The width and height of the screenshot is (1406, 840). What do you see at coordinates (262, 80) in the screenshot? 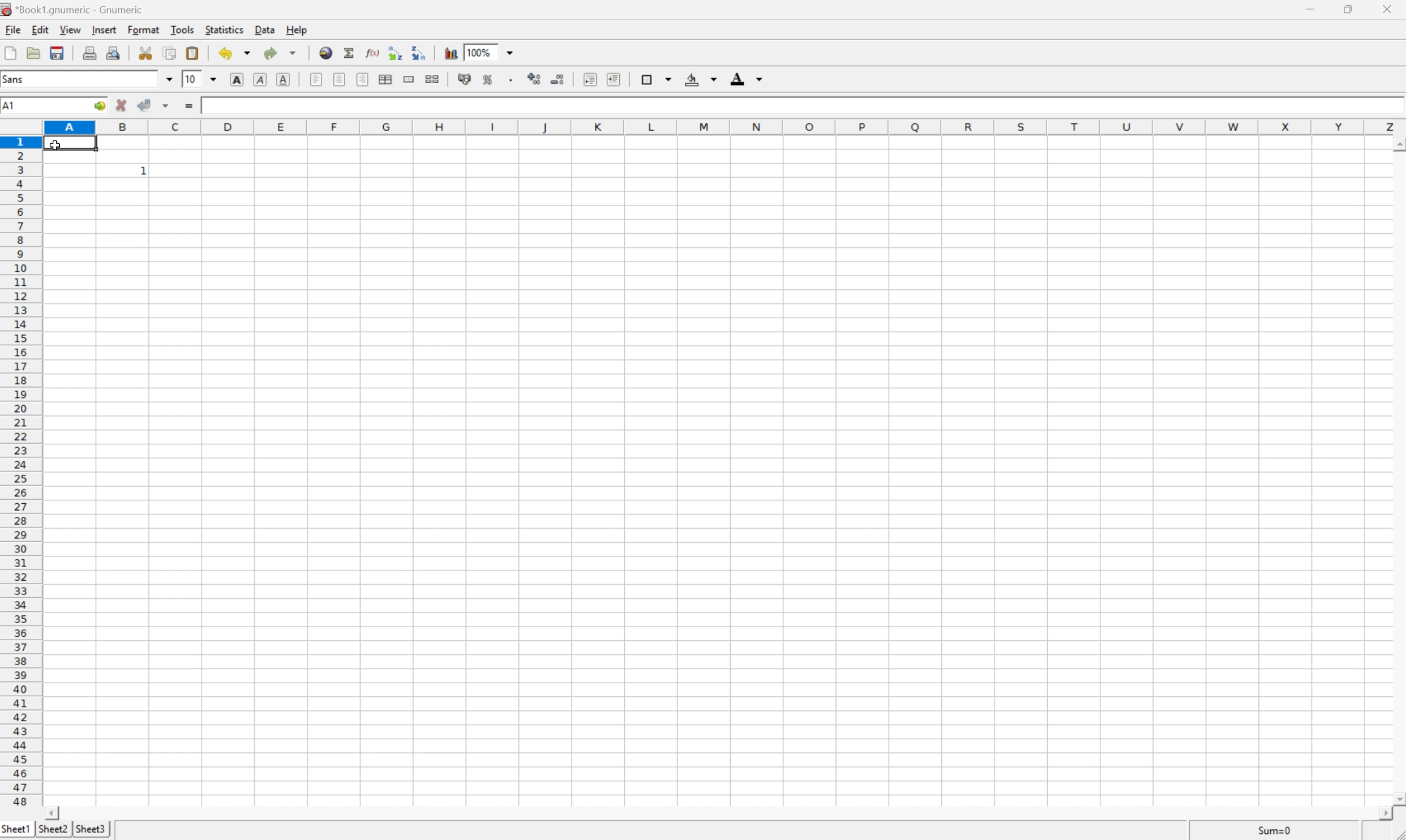
I see `italic` at bounding box center [262, 80].